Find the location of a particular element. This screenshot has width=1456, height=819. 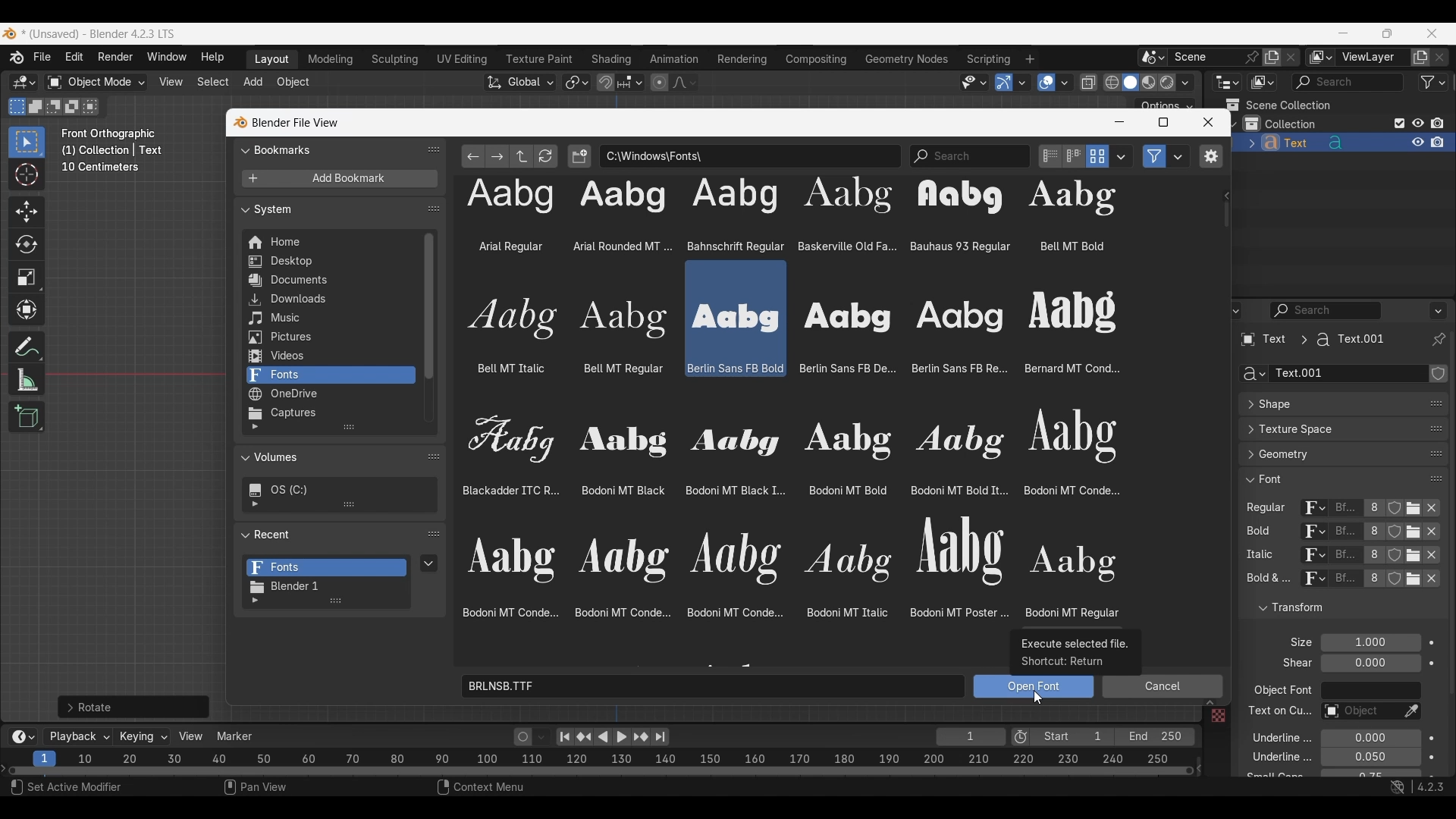

Keying is located at coordinates (142, 736).